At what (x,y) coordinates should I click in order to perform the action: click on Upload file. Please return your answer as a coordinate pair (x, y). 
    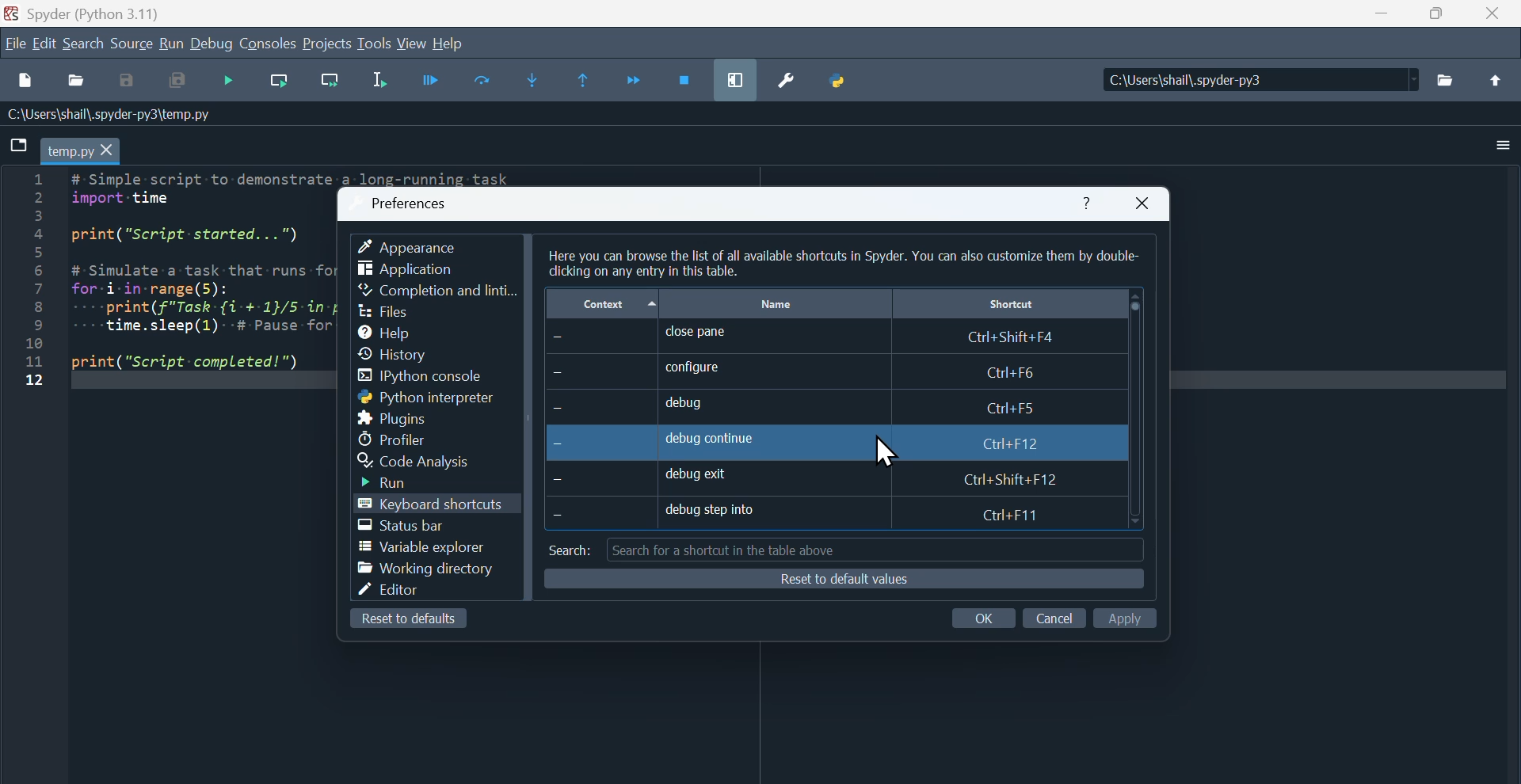
    Looking at the image, I should click on (1501, 79).